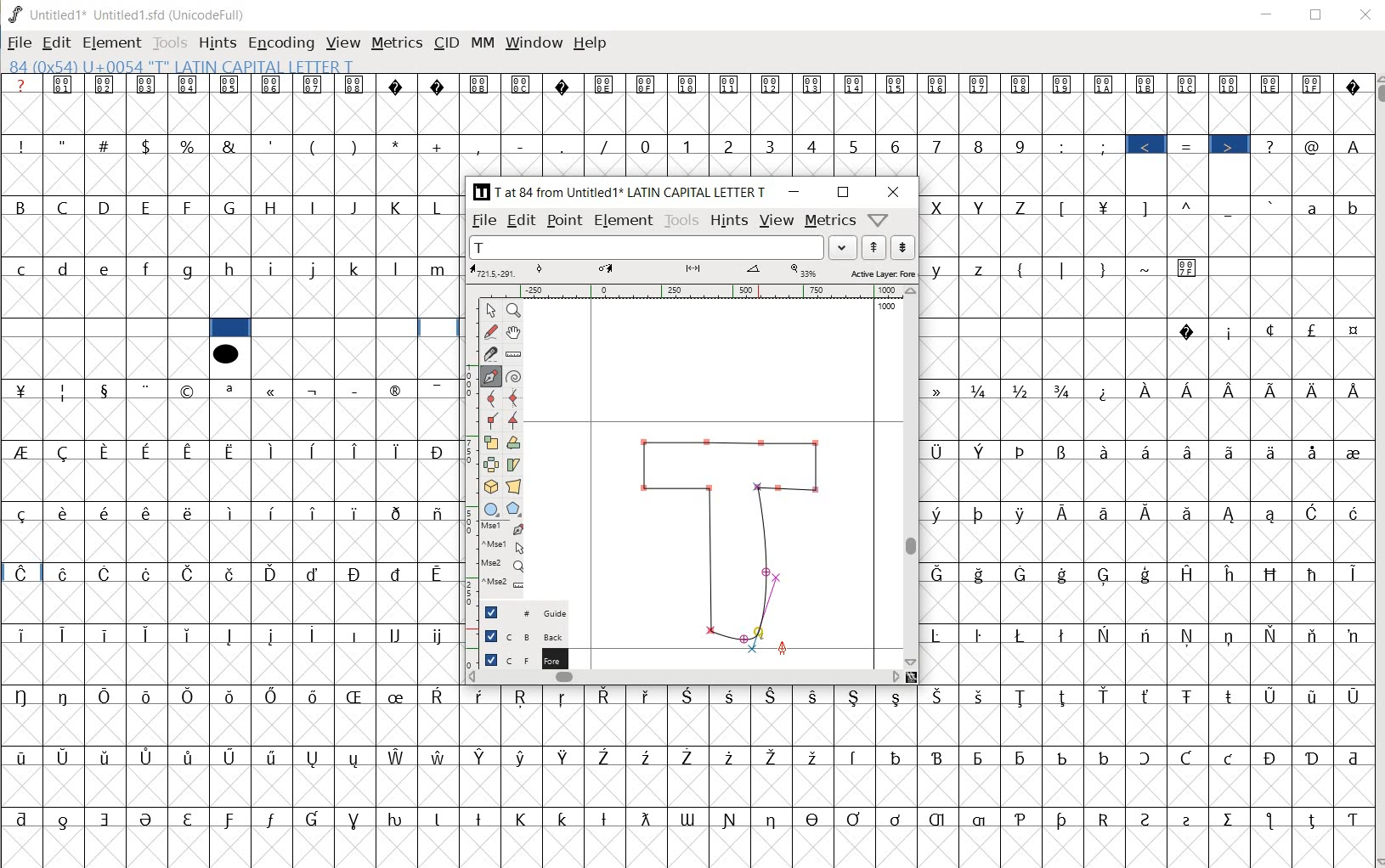 The width and height of the screenshot is (1385, 868). What do you see at coordinates (1064, 269) in the screenshot?
I see `|` at bounding box center [1064, 269].